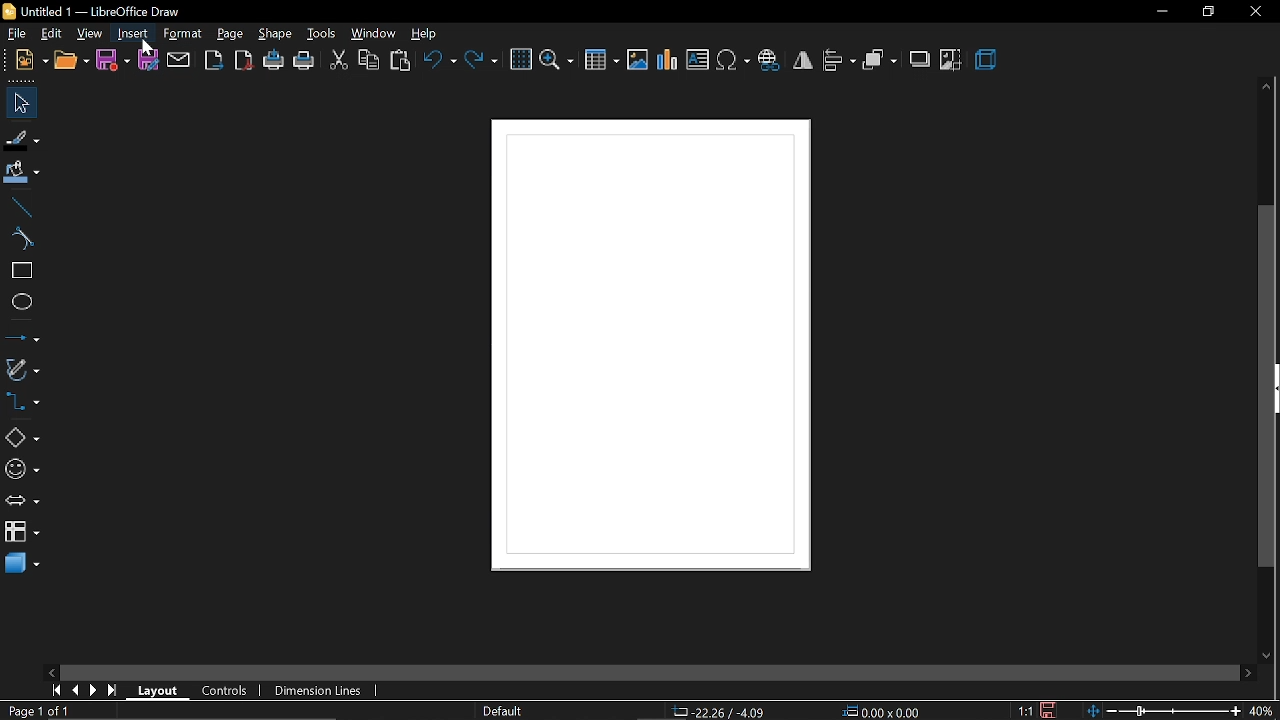  Describe the element at coordinates (1162, 12) in the screenshot. I see `minimize` at that location.